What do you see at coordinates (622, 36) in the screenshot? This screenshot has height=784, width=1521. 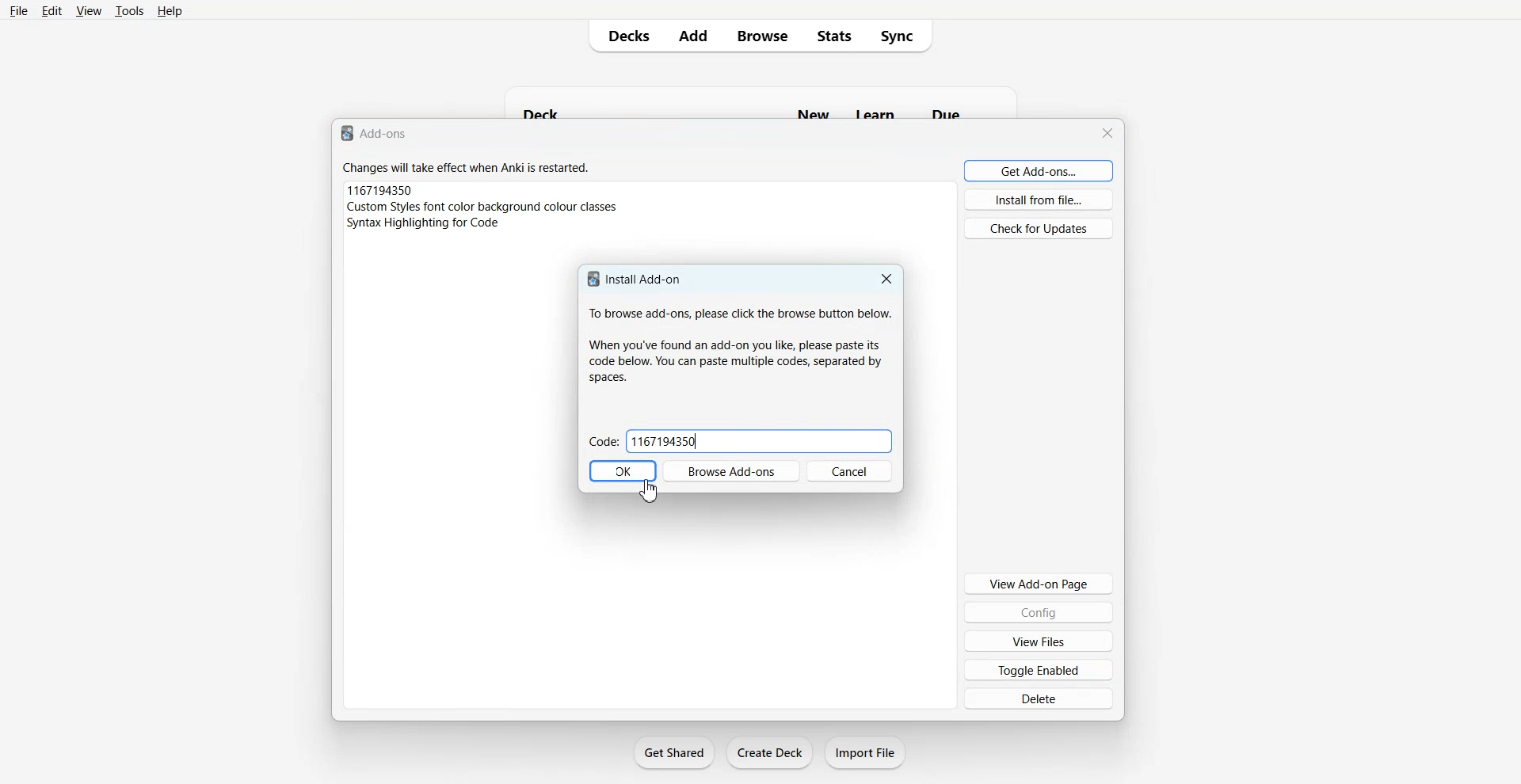 I see `Decks` at bounding box center [622, 36].